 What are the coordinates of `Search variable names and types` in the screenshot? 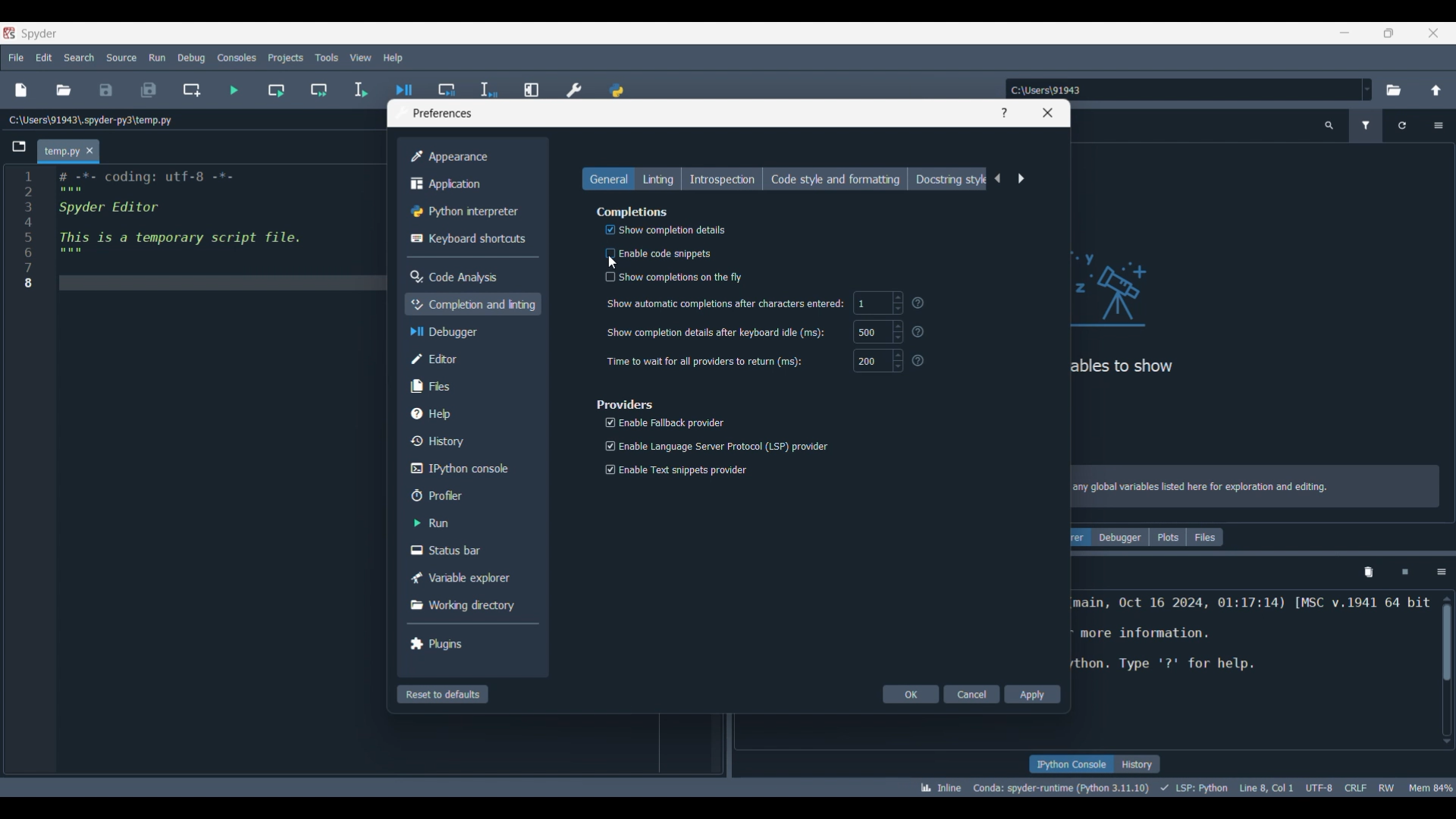 It's located at (1329, 126).